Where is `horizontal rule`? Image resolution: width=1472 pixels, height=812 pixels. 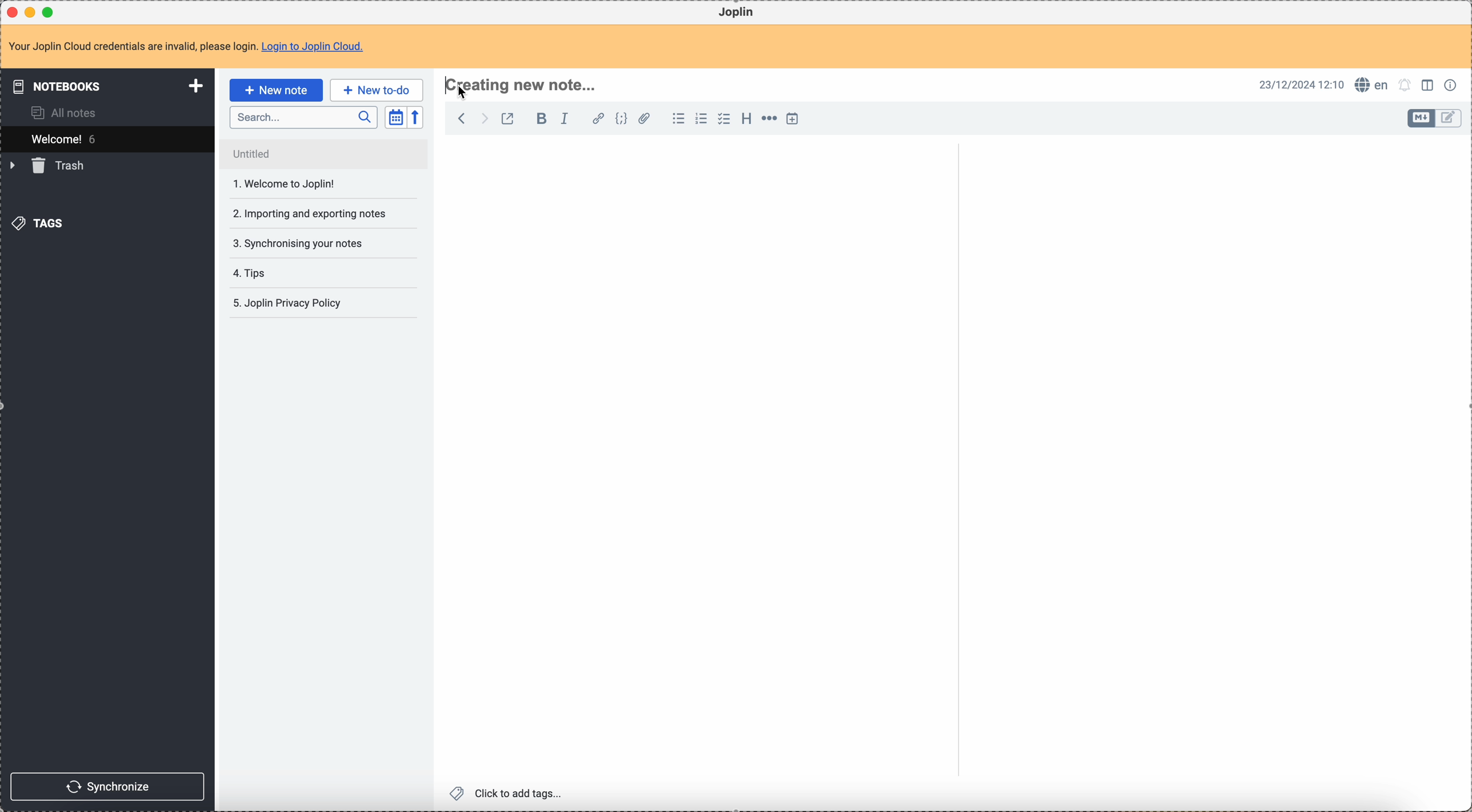 horizontal rule is located at coordinates (769, 120).